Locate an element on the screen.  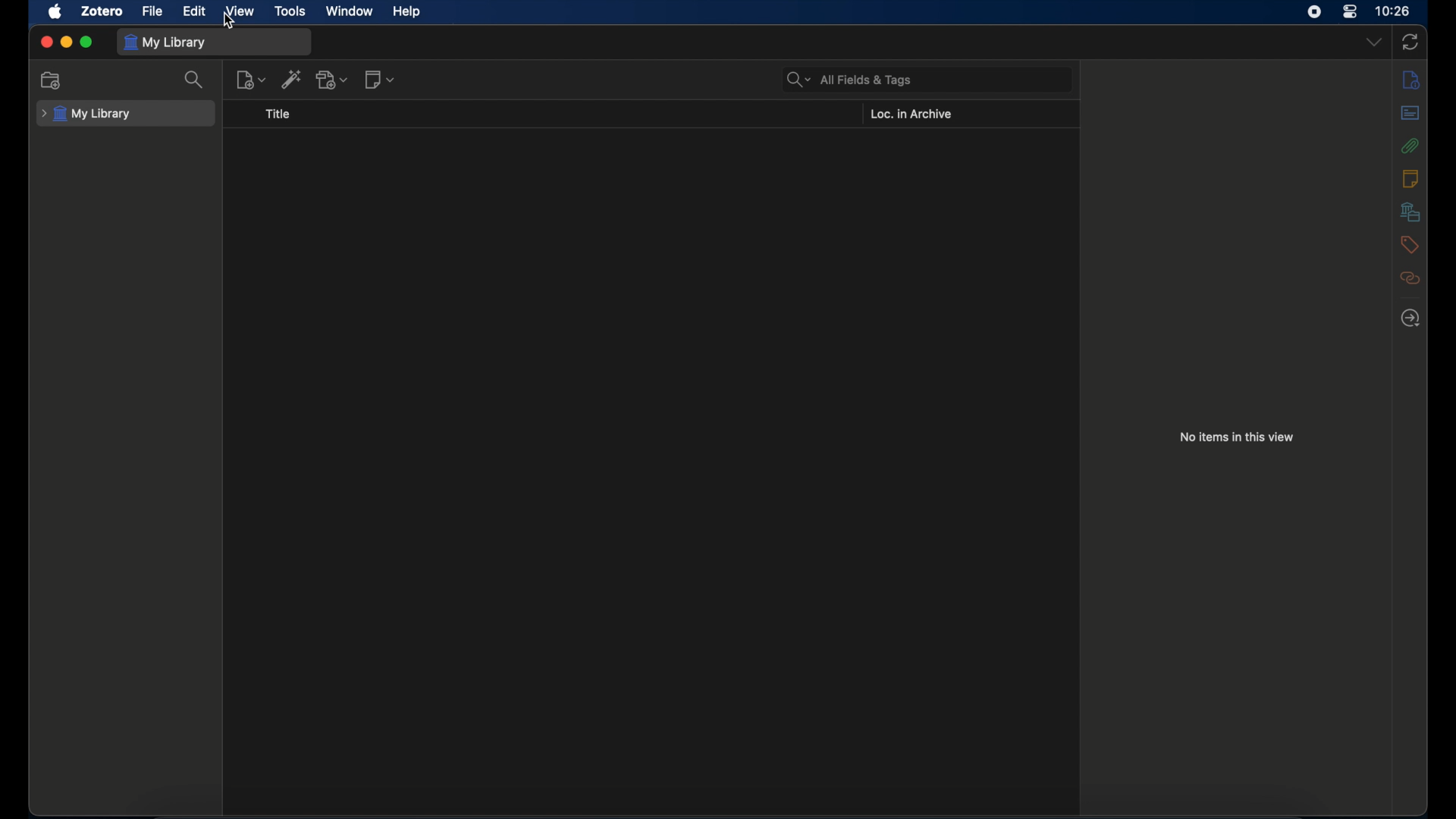
file is located at coordinates (153, 12).